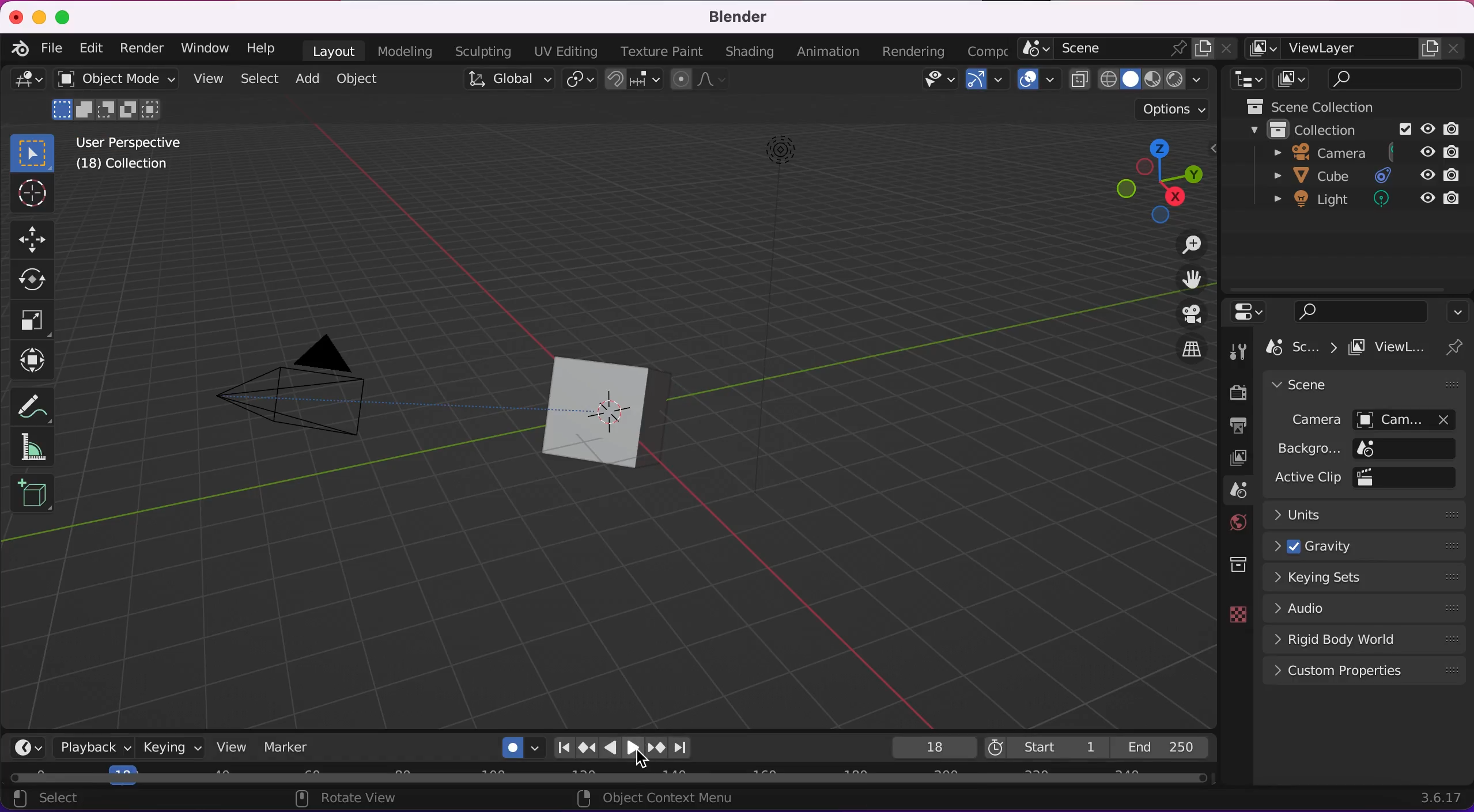 Image resolution: width=1474 pixels, height=812 pixels. I want to click on select, so click(259, 77).